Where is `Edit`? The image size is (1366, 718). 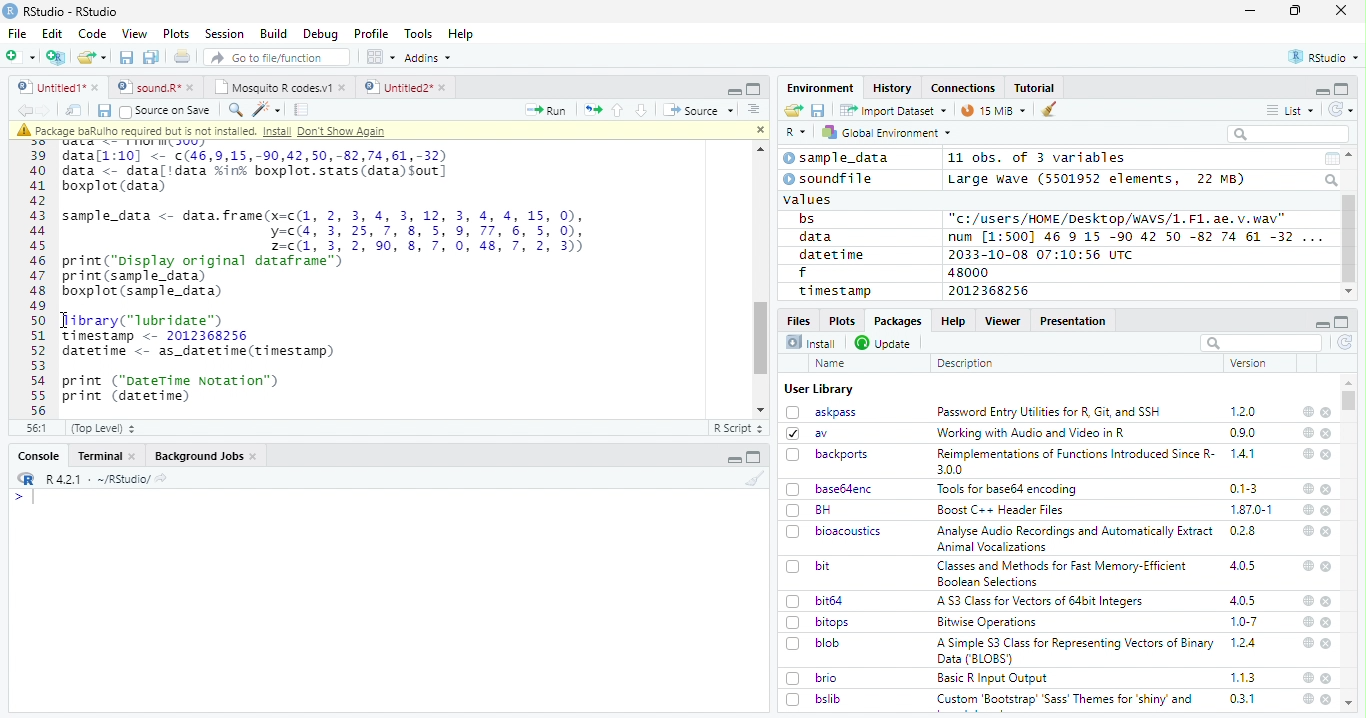 Edit is located at coordinates (52, 33).